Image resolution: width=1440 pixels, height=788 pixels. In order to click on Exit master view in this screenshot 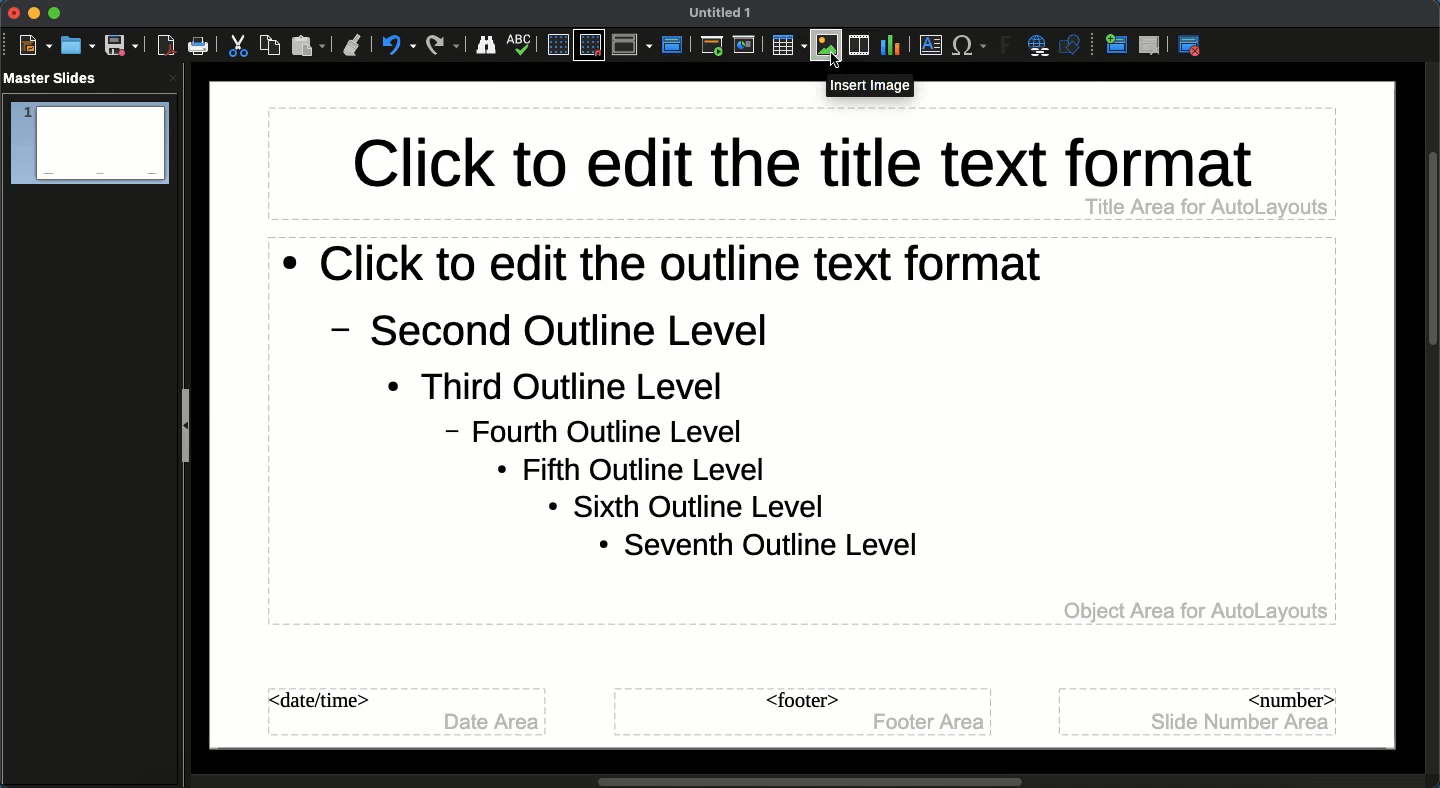, I will do `click(1189, 47)`.